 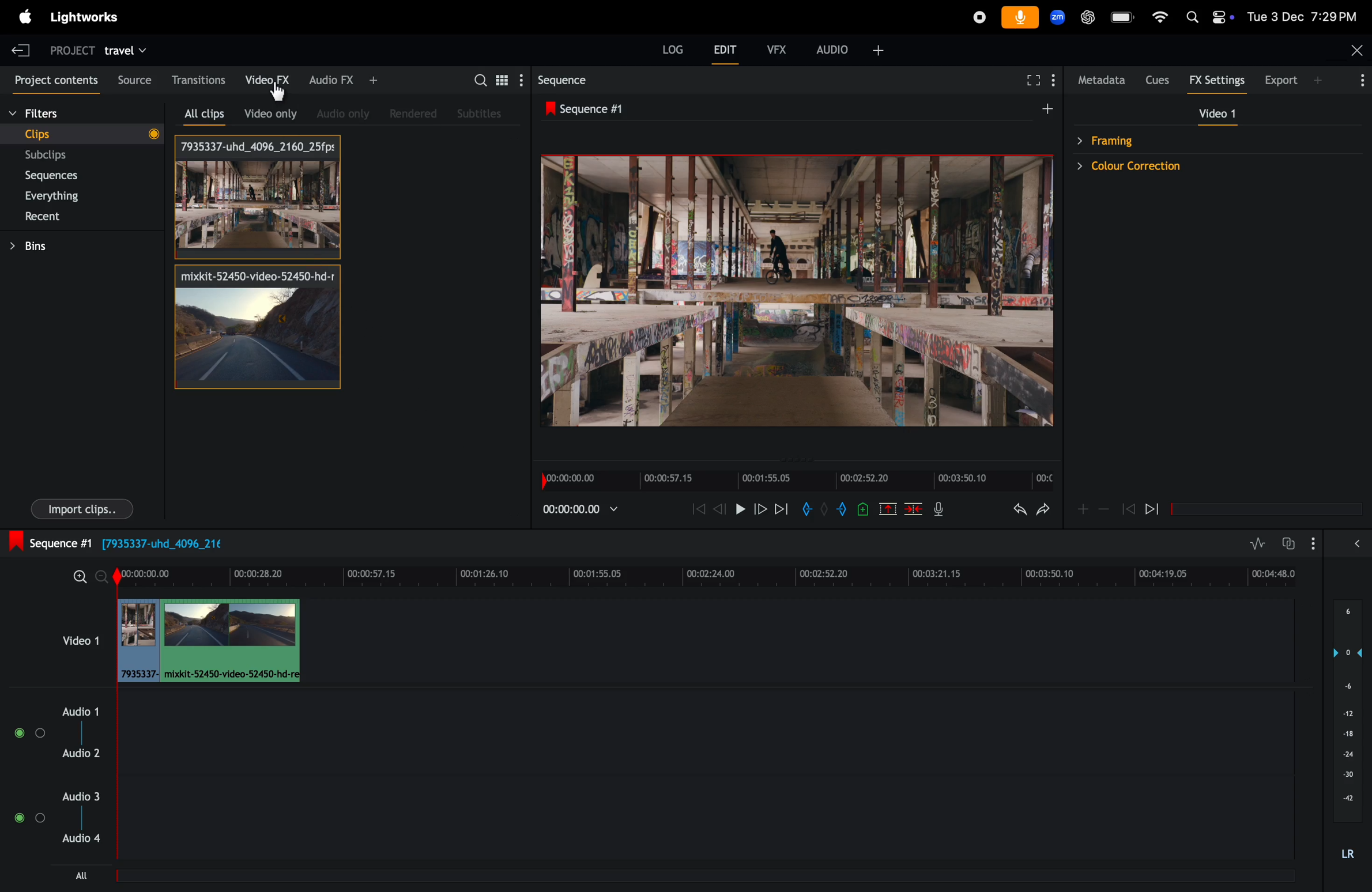 I want to click on Light works menu, so click(x=89, y=17).